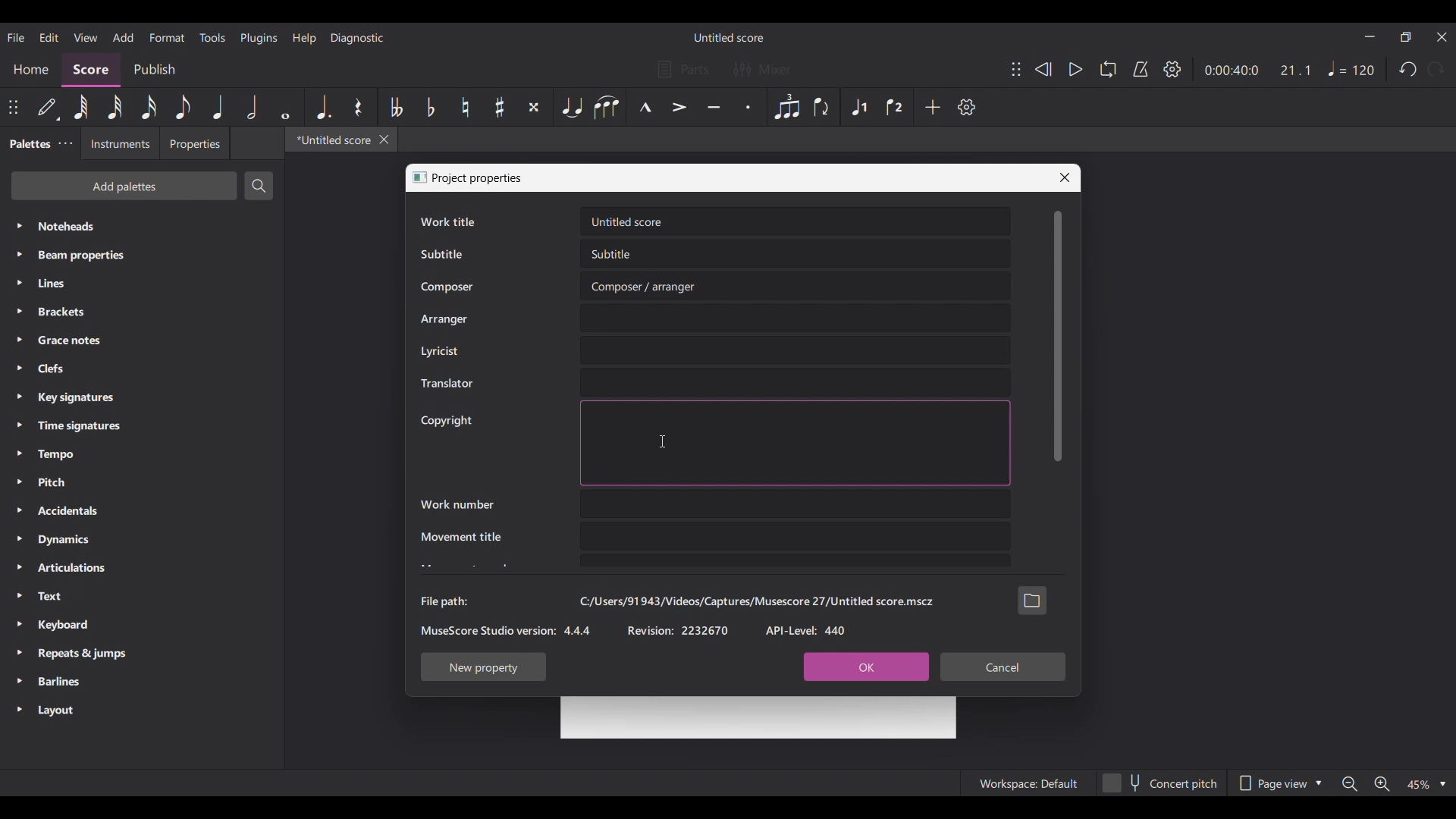 The height and width of the screenshot is (819, 1456). What do you see at coordinates (194, 143) in the screenshot?
I see `Properties` at bounding box center [194, 143].